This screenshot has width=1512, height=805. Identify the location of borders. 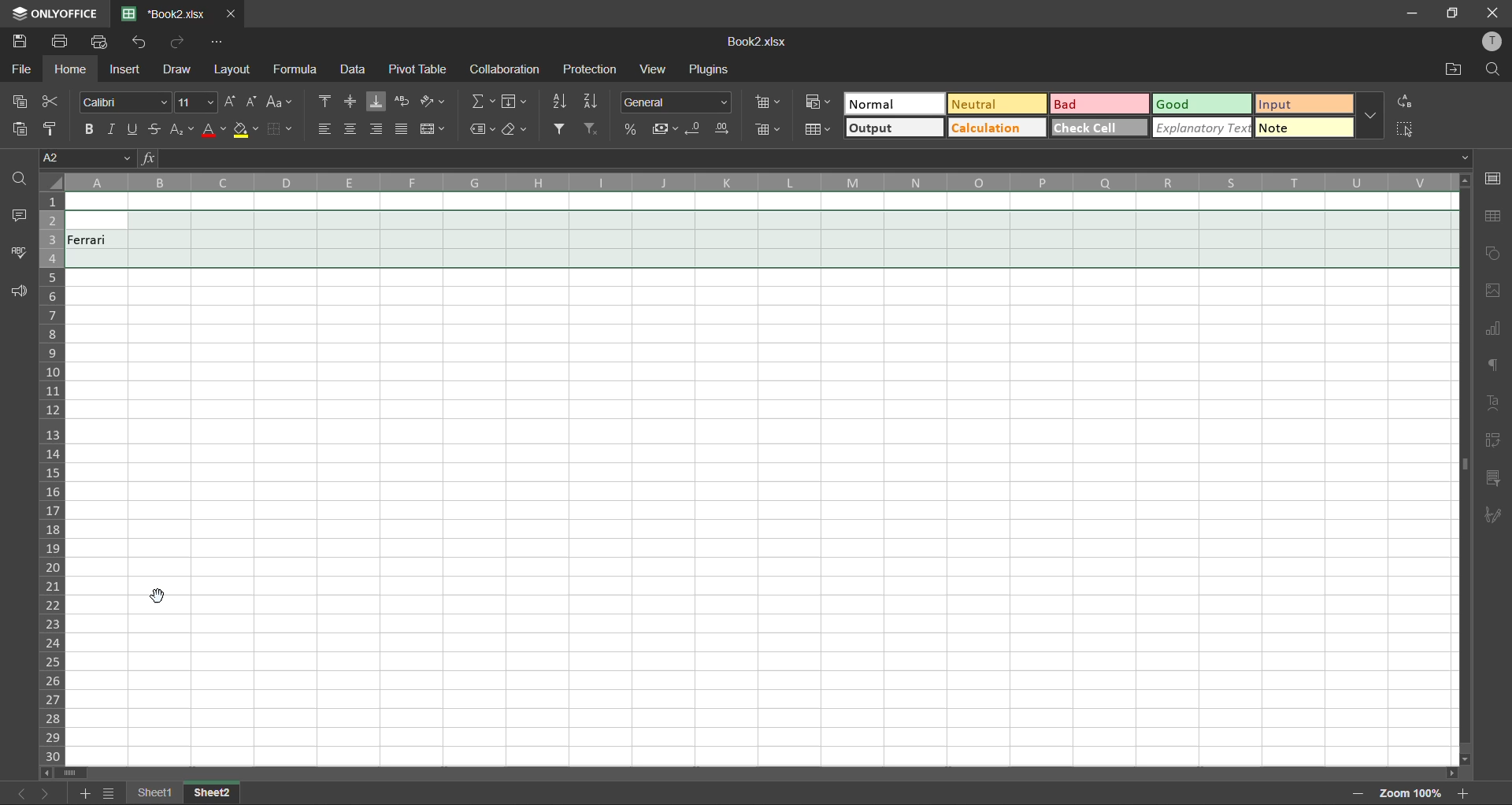
(282, 128).